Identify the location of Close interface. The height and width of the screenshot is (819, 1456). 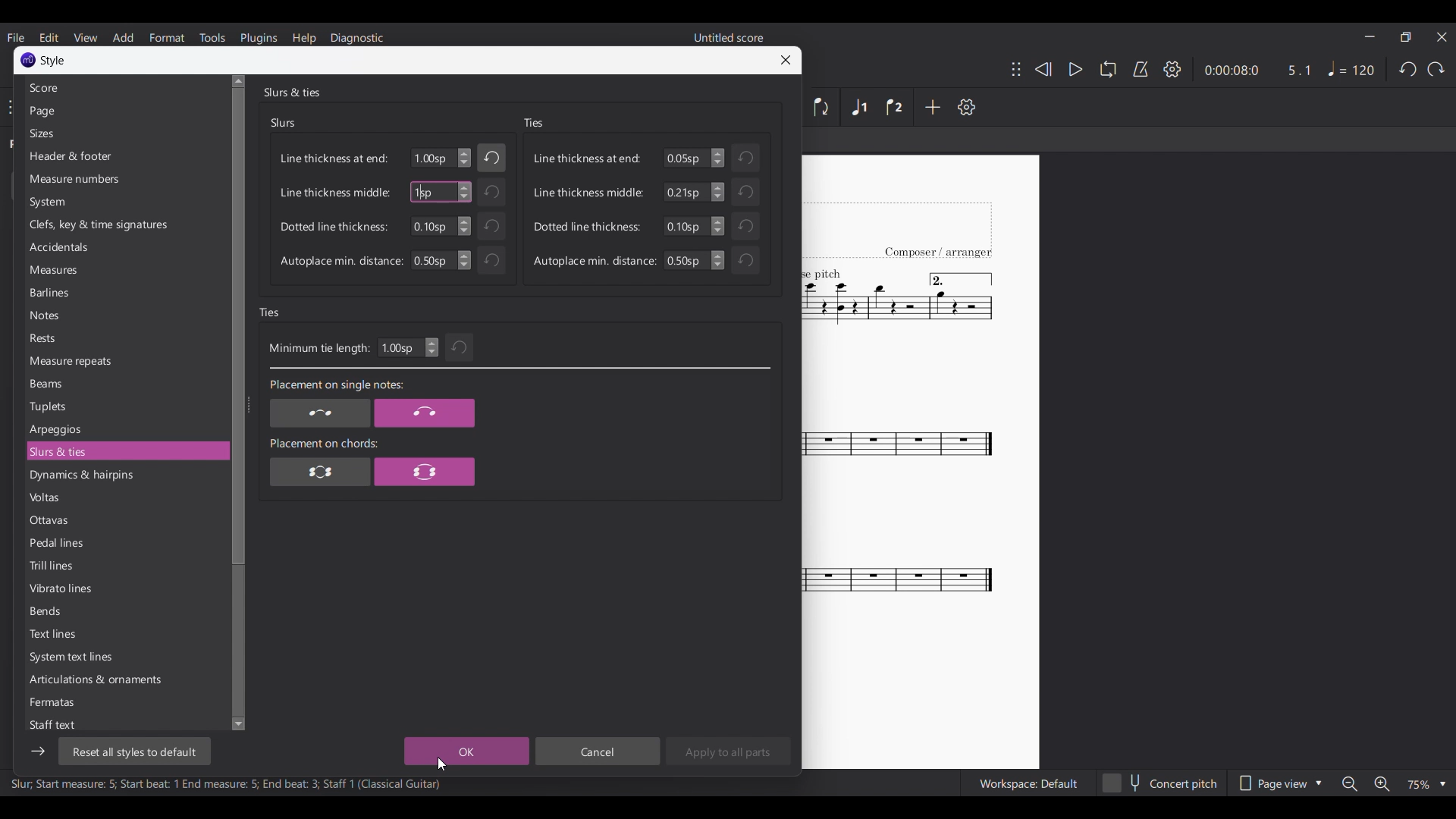
(1442, 37).